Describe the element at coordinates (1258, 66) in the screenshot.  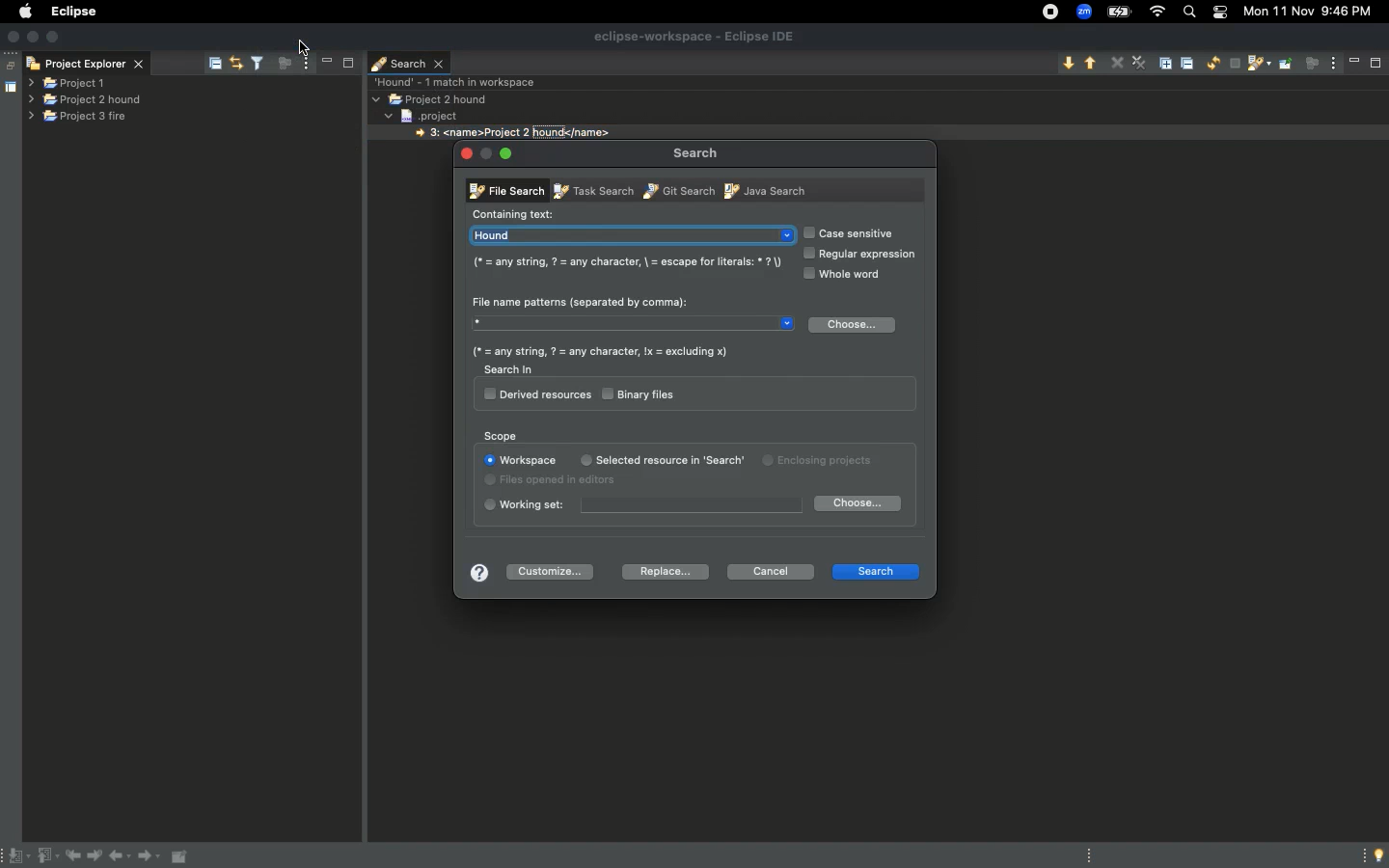
I see `Show previous searches` at that location.